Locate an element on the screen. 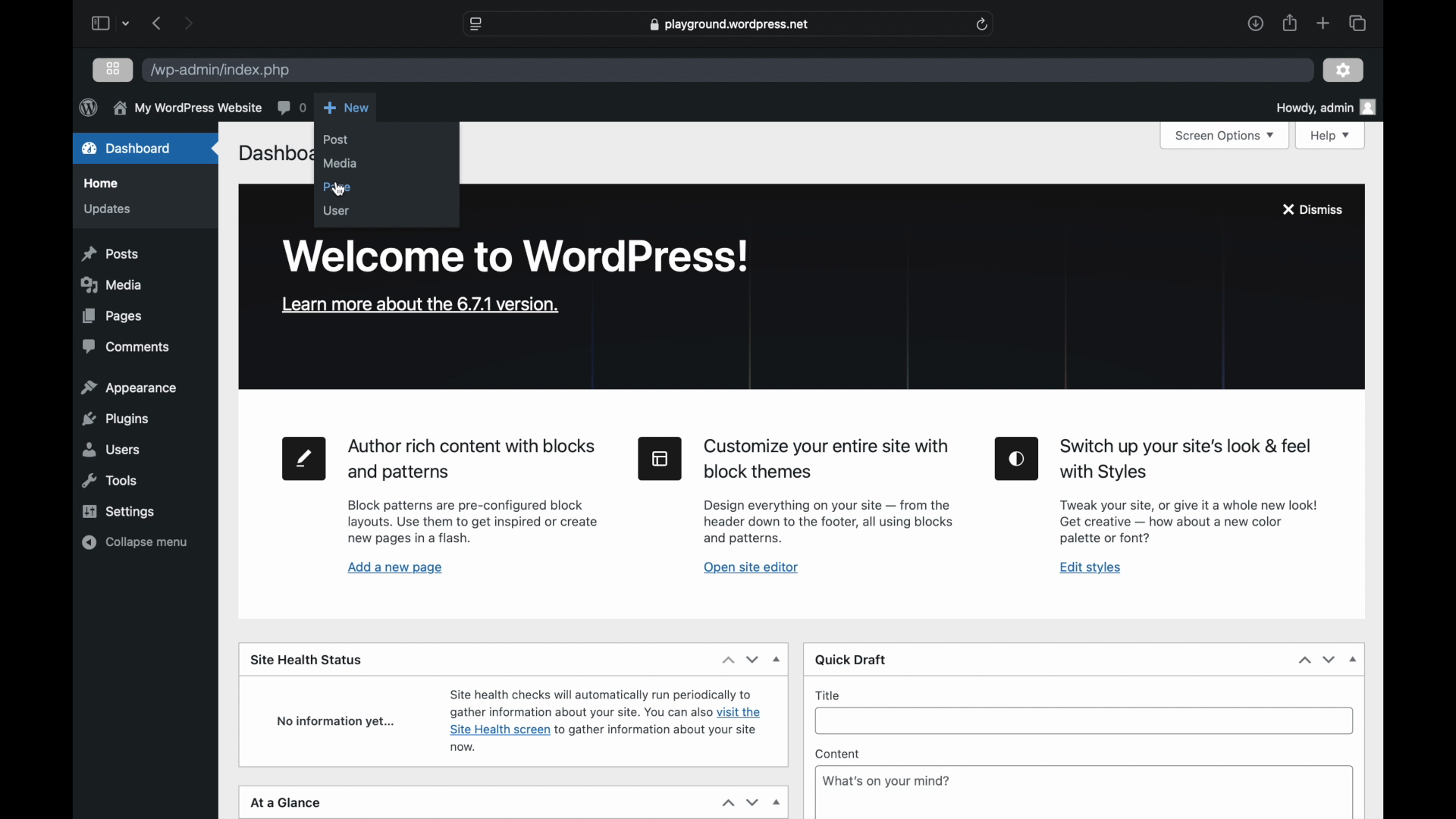 The image size is (1456, 819). learn more about the version 6.7.1 is located at coordinates (421, 306).